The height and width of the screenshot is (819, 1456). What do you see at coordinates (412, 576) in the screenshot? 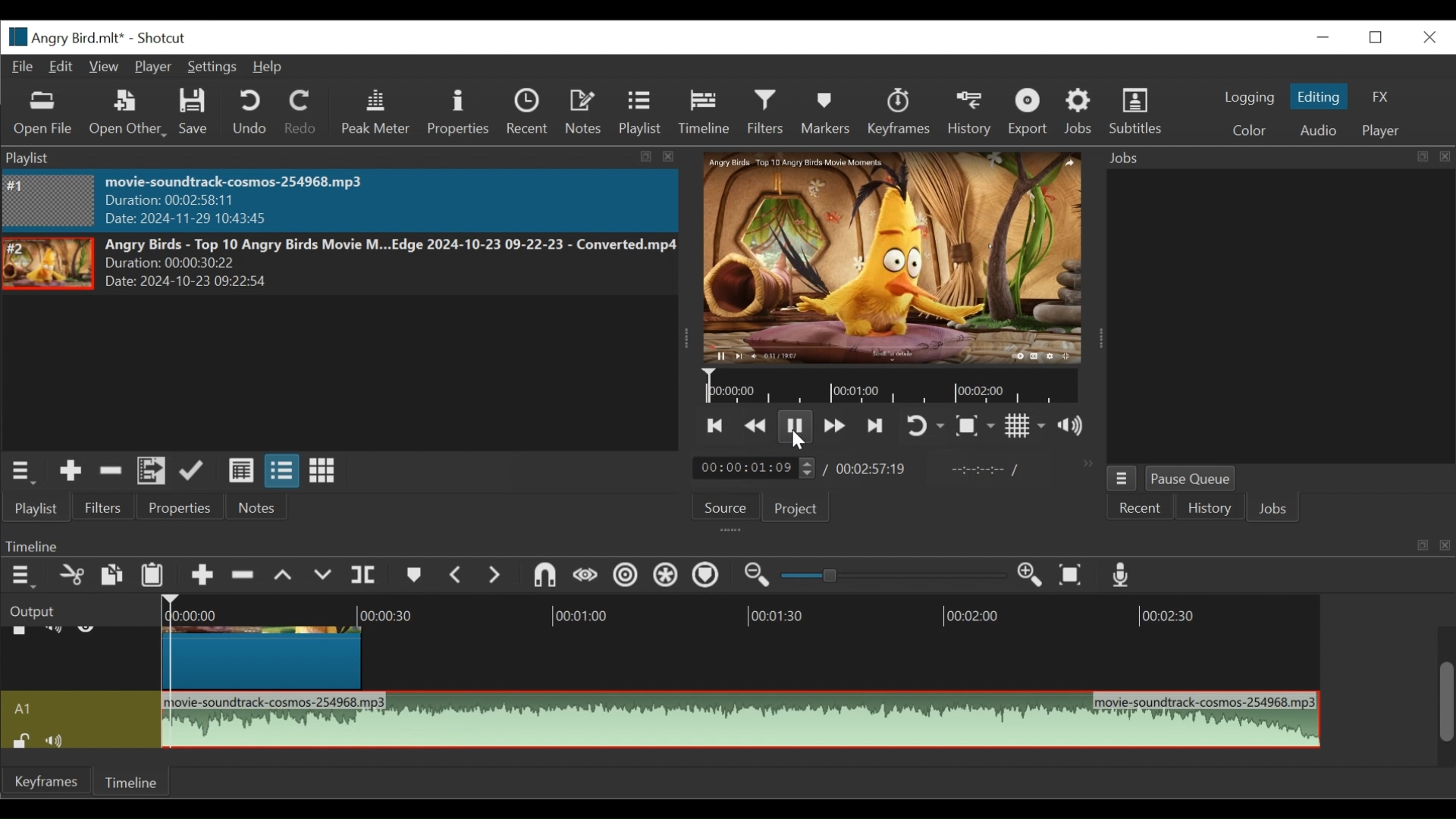
I see `Markers` at bounding box center [412, 576].